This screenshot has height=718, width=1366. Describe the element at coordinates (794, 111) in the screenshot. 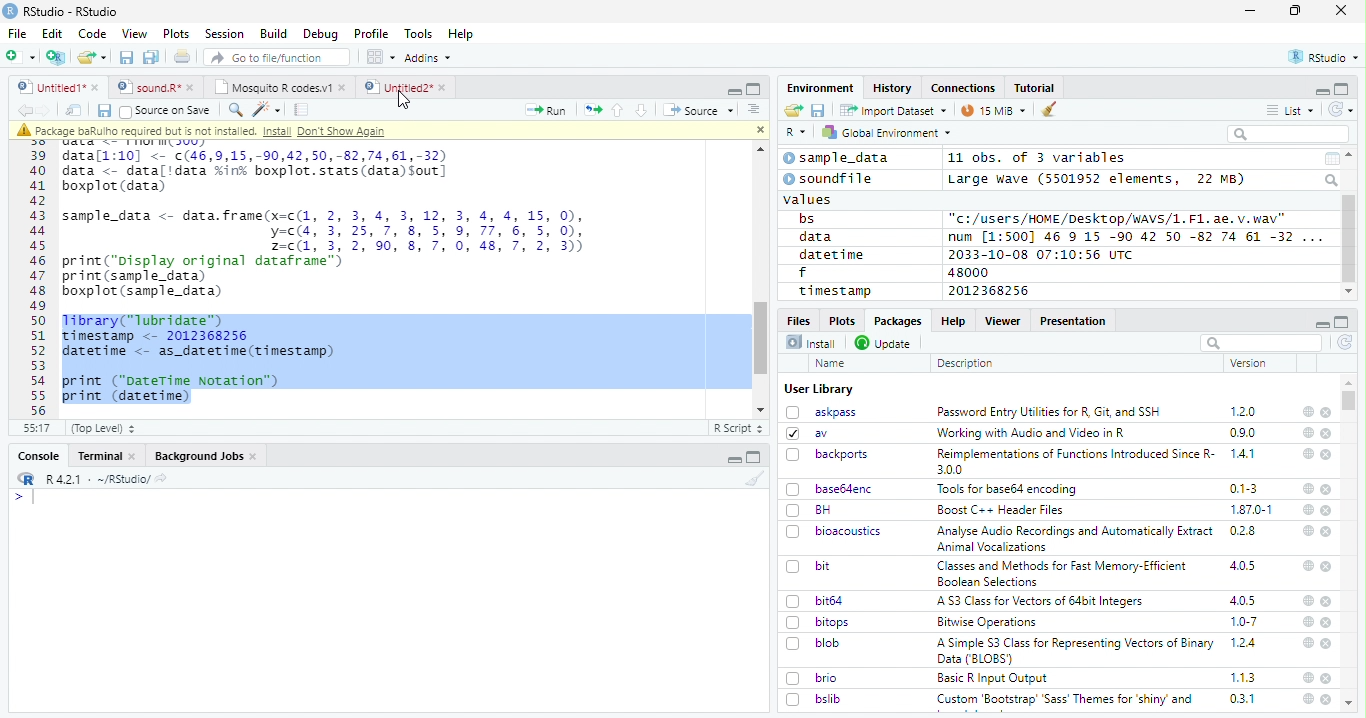

I see `Load workspace` at that location.